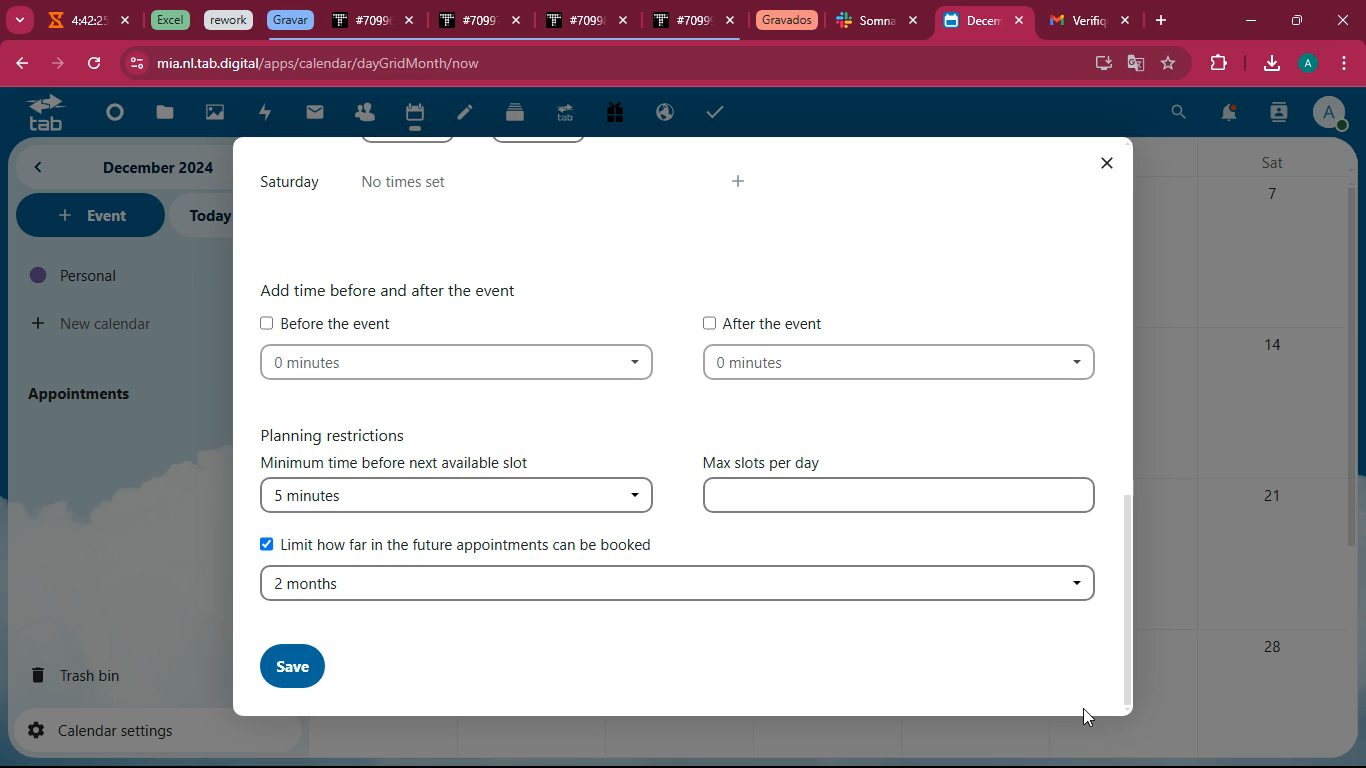 This screenshot has width=1366, height=768. What do you see at coordinates (18, 18) in the screenshot?
I see `more` at bounding box center [18, 18].